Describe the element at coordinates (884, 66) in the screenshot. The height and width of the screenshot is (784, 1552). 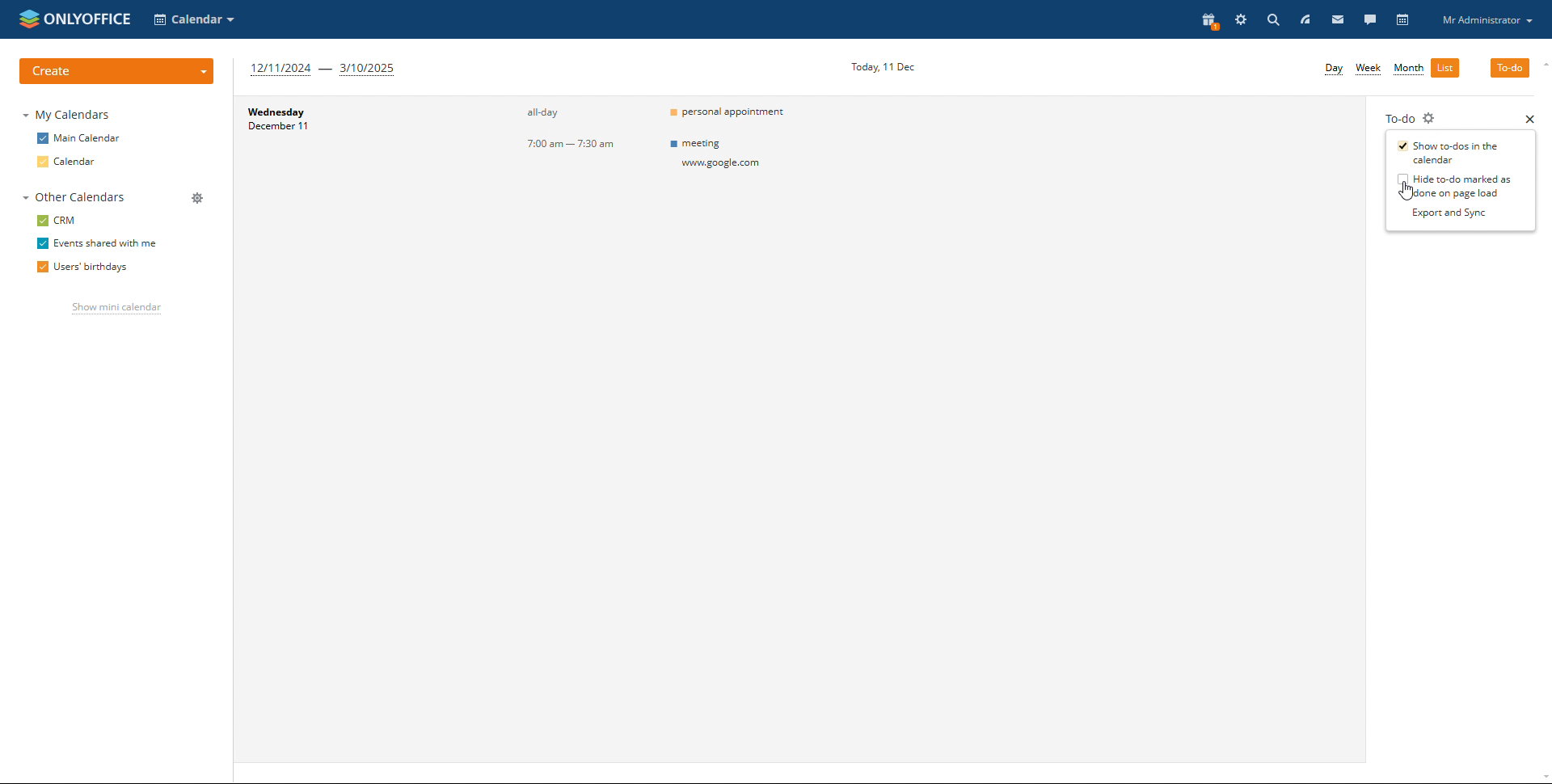
I see `current date` at that location.